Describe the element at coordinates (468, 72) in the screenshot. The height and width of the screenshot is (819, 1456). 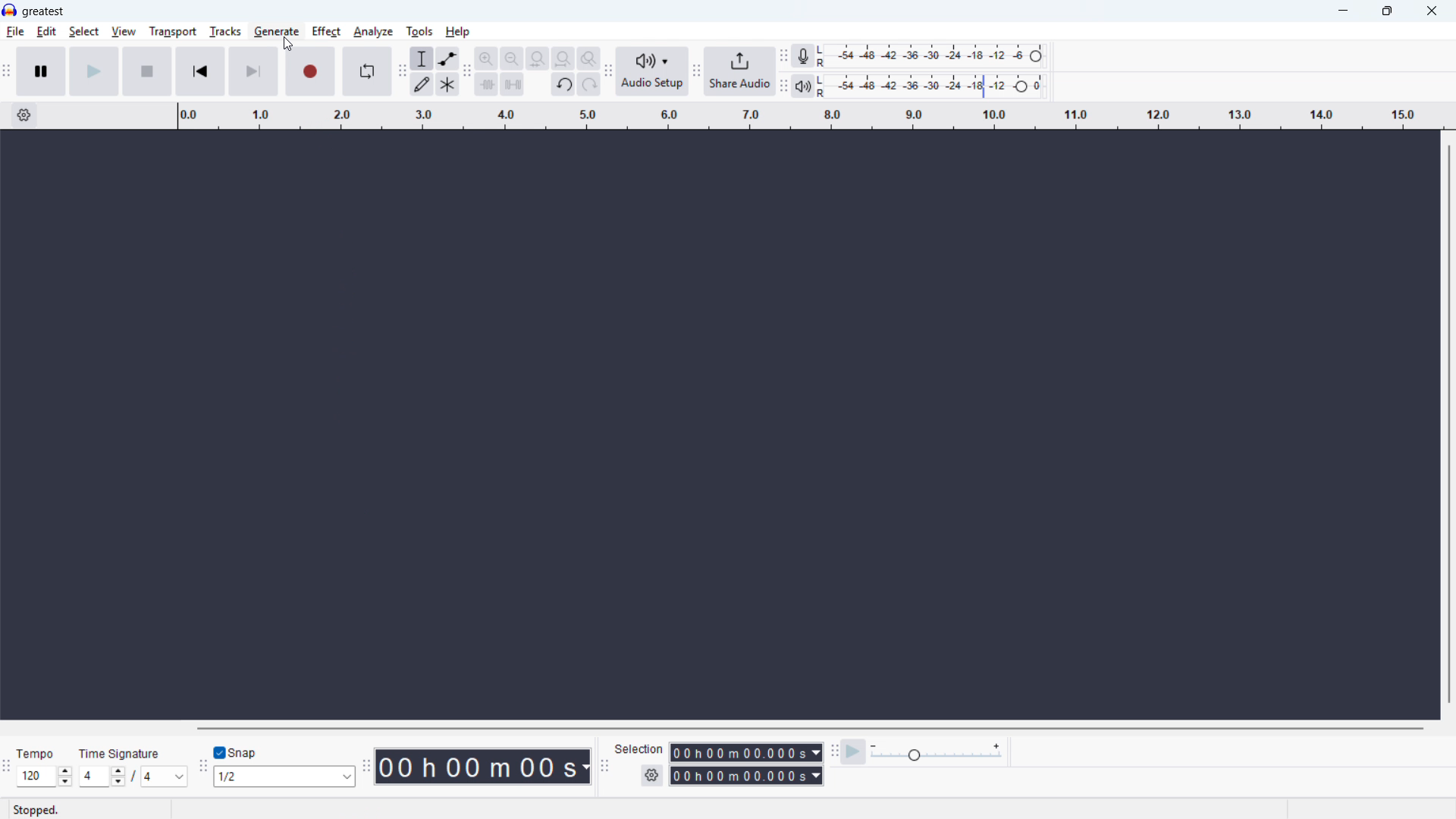
I see `edit toolbar` at that location.